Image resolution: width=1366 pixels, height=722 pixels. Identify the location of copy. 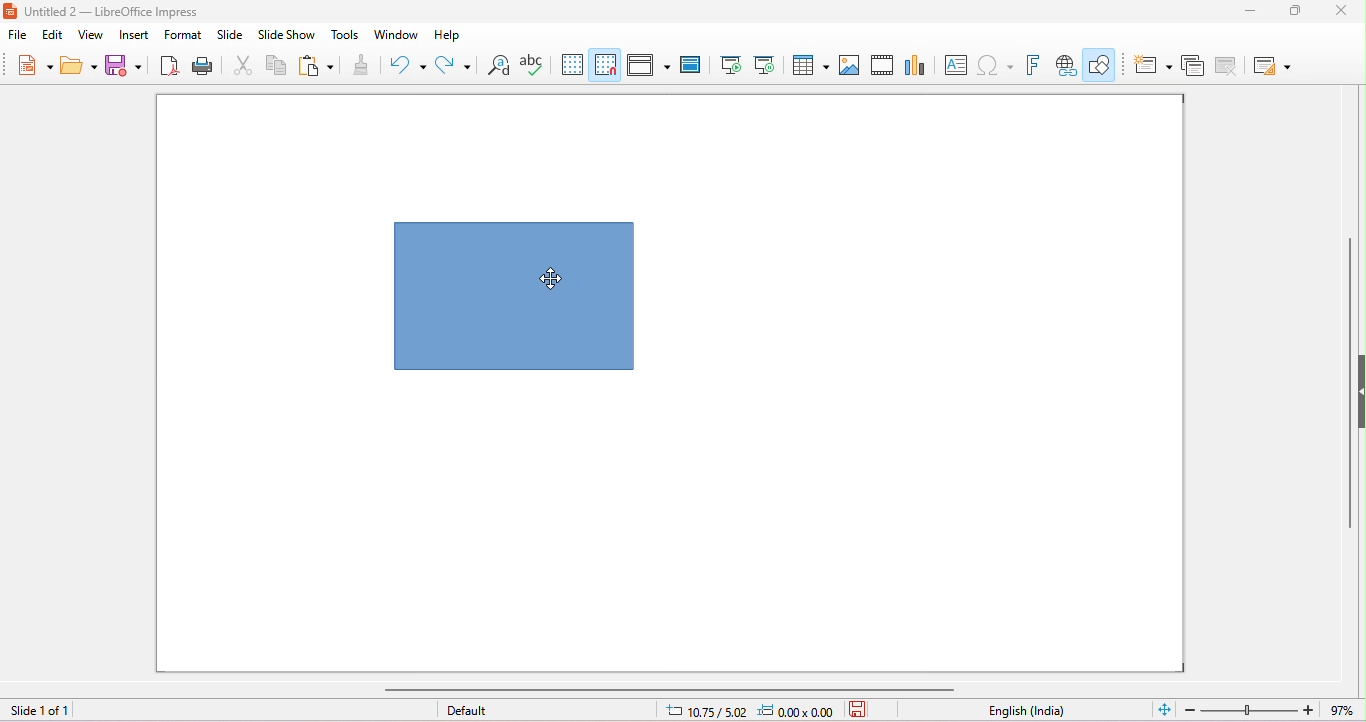
(276, 64).